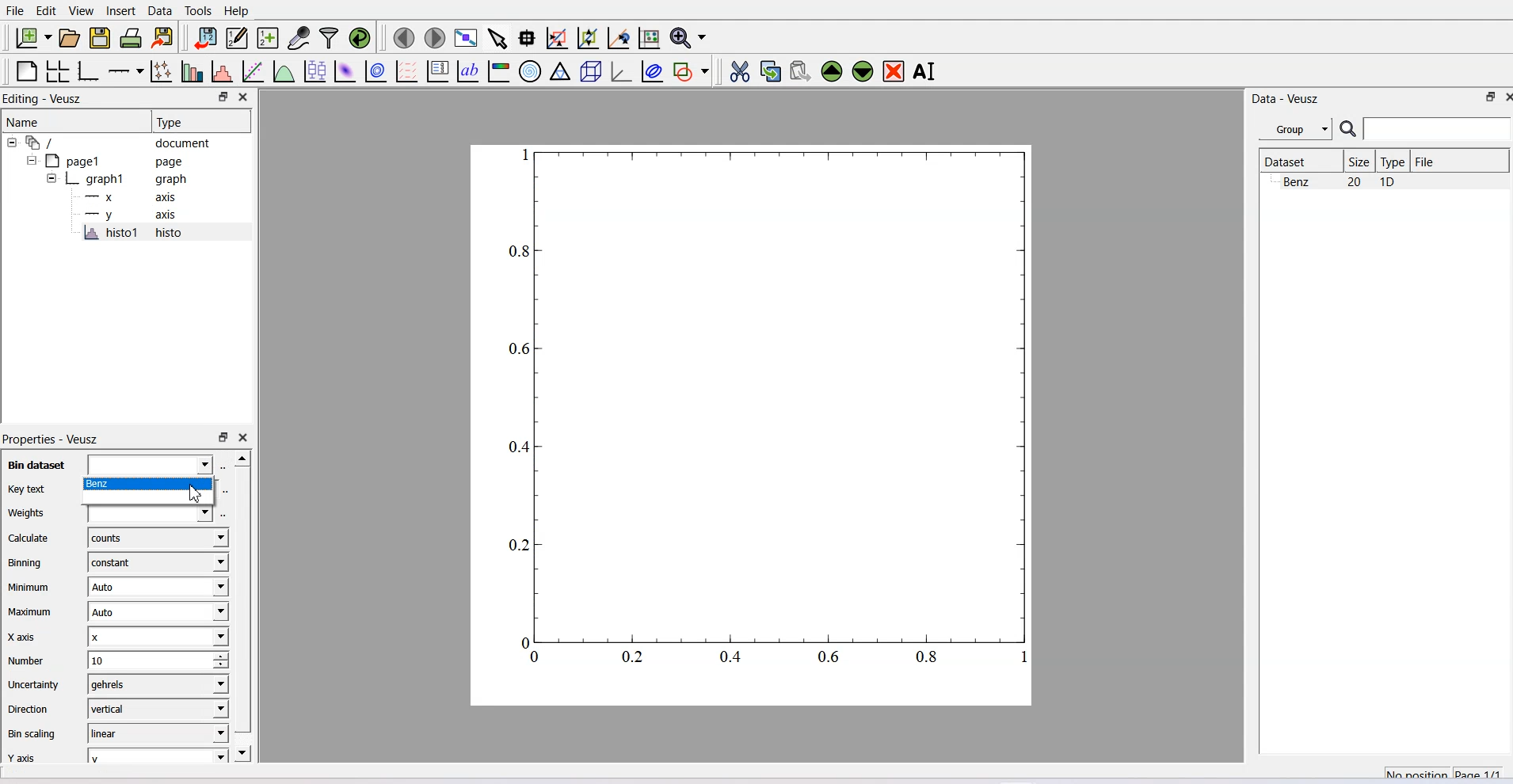 The image size is (1513, 784). Describe the element at coordinates (558, 38) in the screenshot. I see `Draw rectangle to zoom graph axes` at that location.